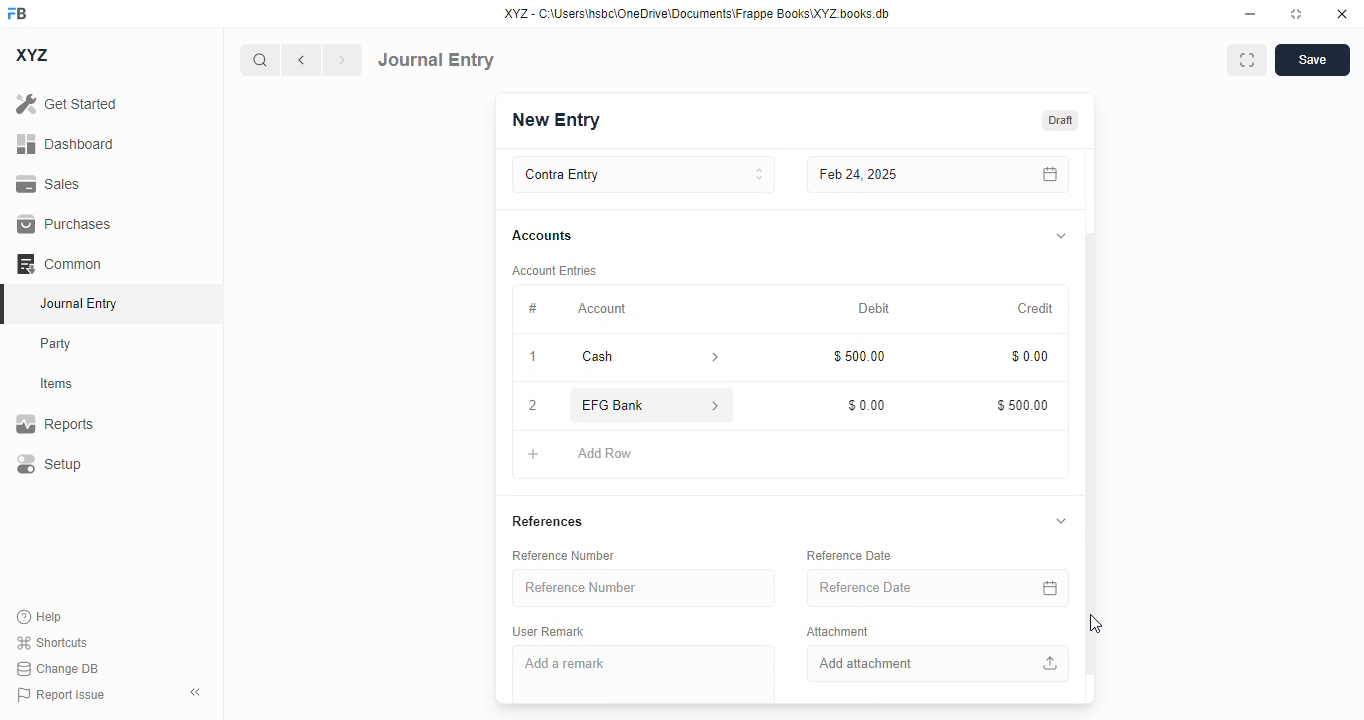  What do you see at coordinates (31, 55) in the screenshot?
I see `XYZ` at bounding box center [31, 55].